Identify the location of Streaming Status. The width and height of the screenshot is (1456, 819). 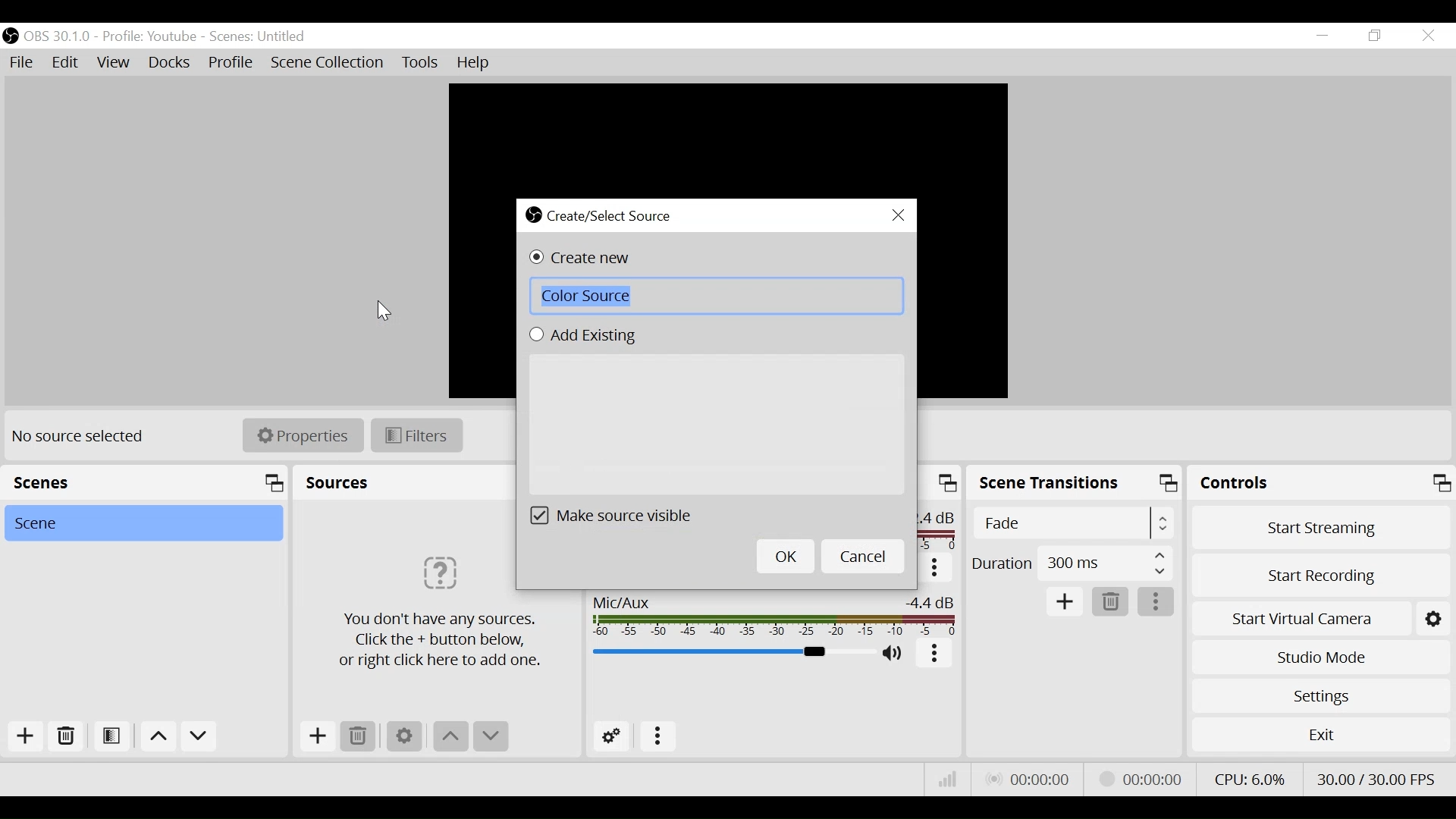
(1141, 779).